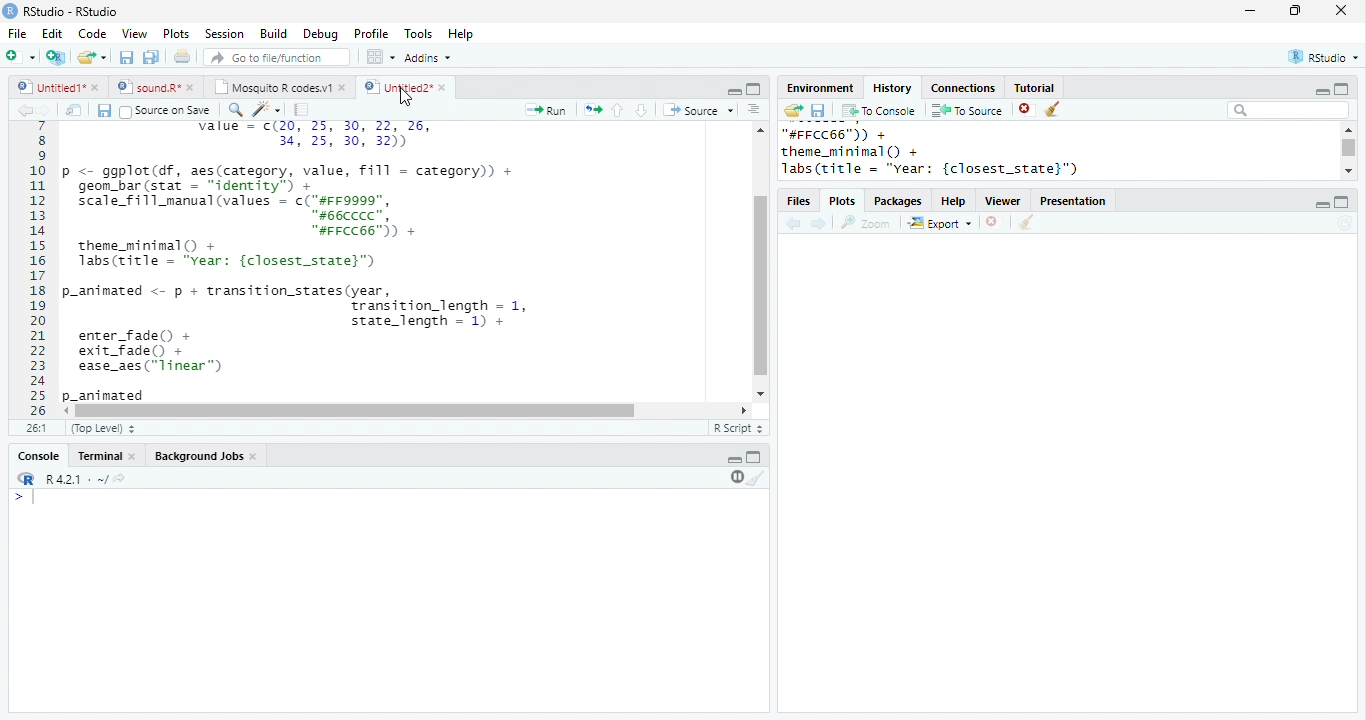 Image resolution: width=1366 pixels, height=720 pixels. Describe the element at coordinates (135, 33) in the screenshot. I see `View` at that location.